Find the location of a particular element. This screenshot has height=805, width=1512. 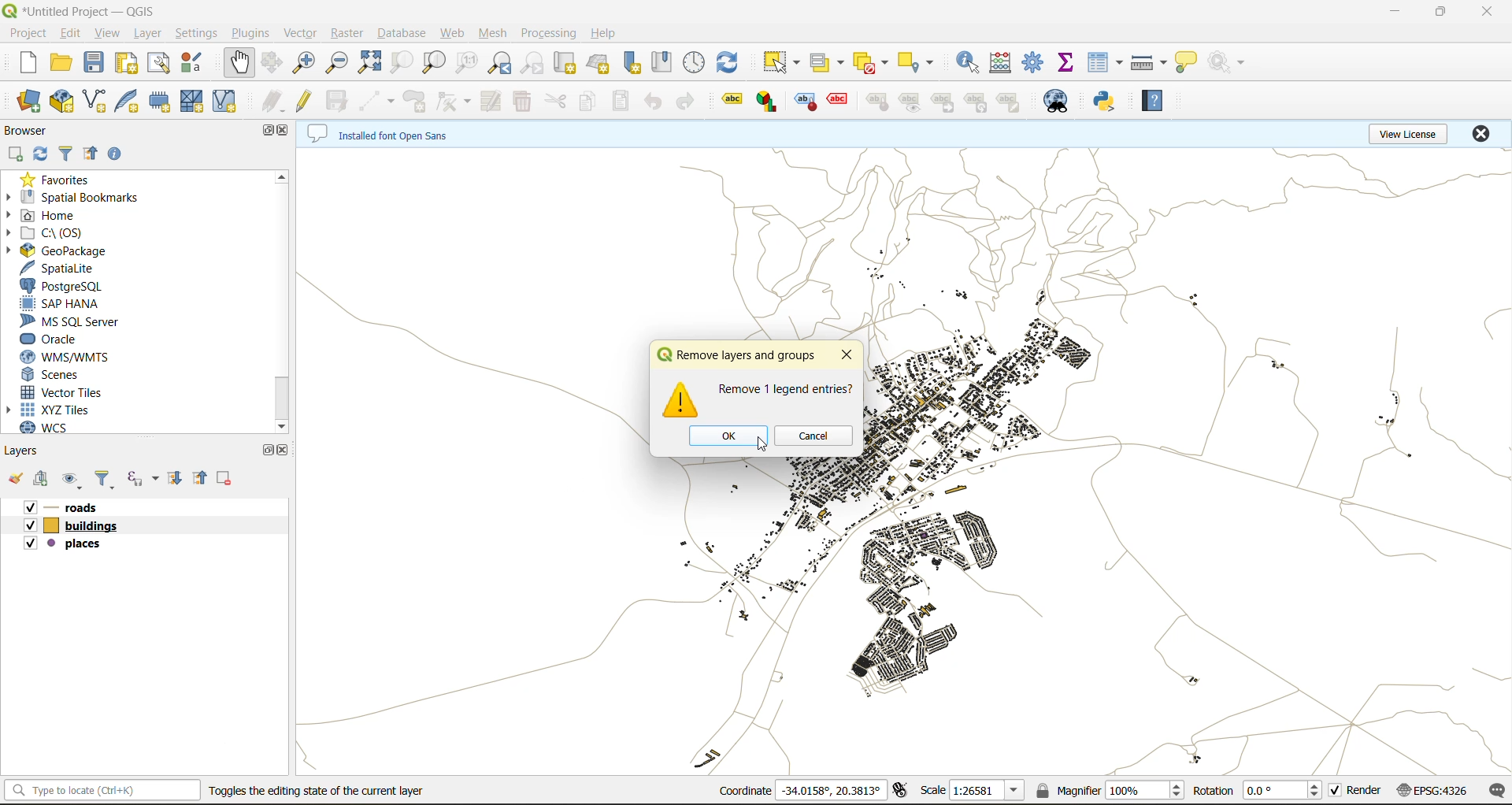

edits is located at coordinates (272, 101).